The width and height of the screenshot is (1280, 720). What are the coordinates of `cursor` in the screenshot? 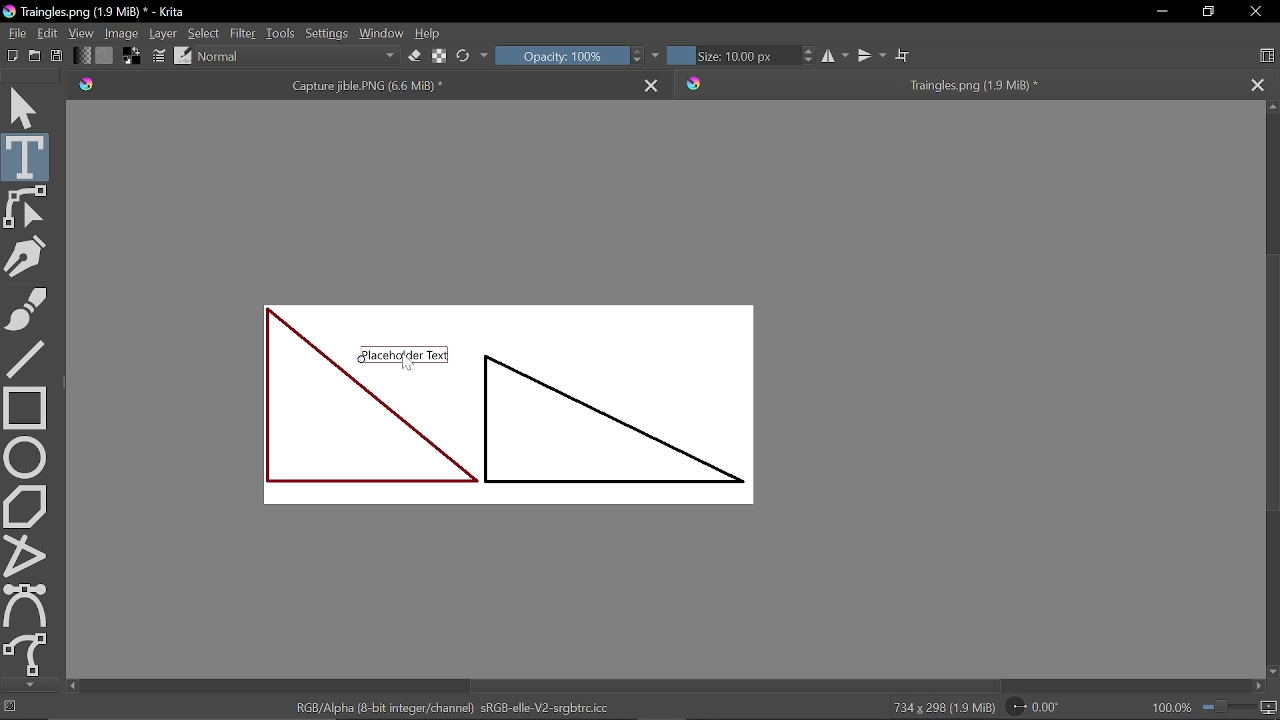 It's located at (407, 361).